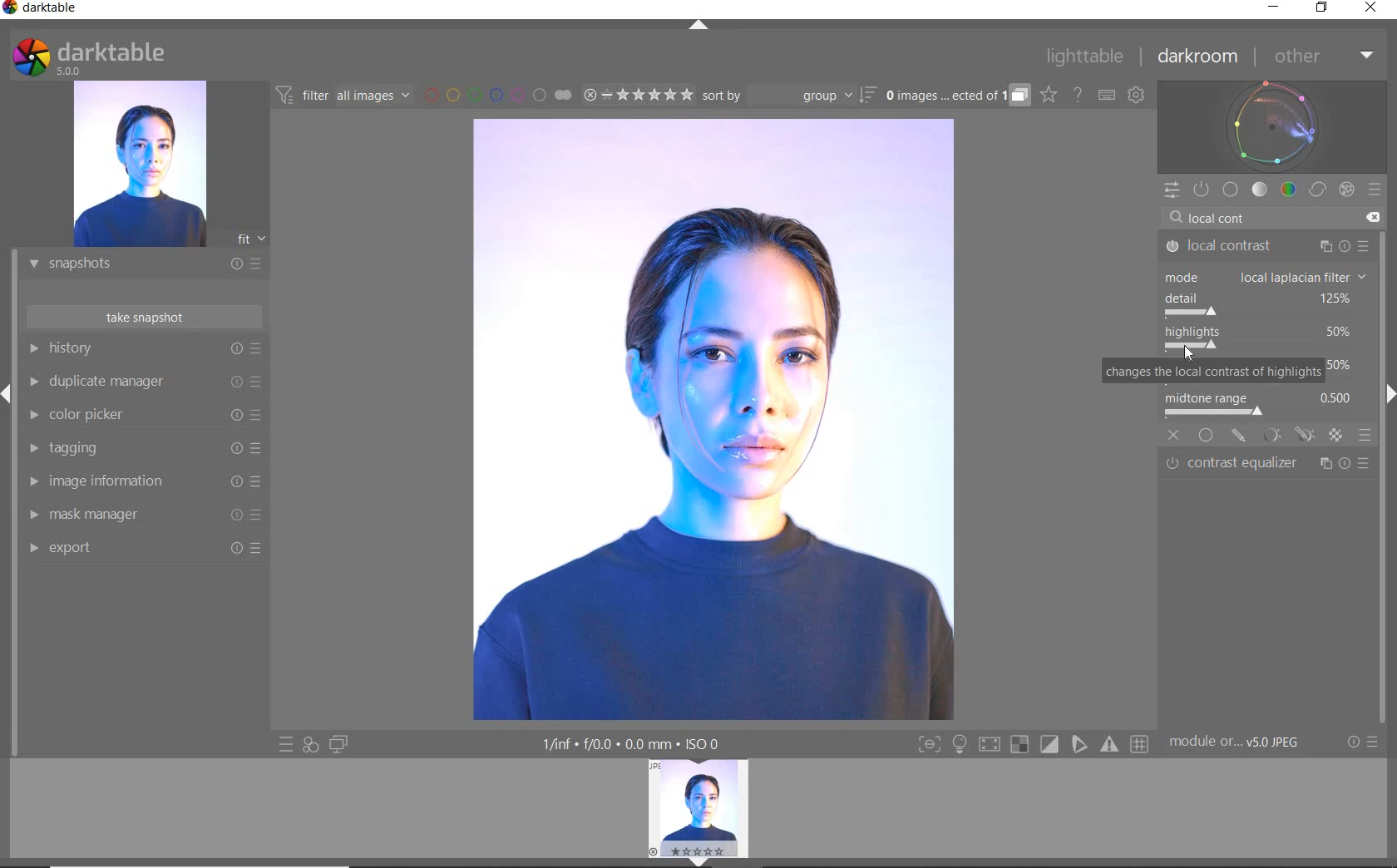  Describe the element at coordinates (1336, 436) in the screenshot. I see `MASK OPTION` at that location.